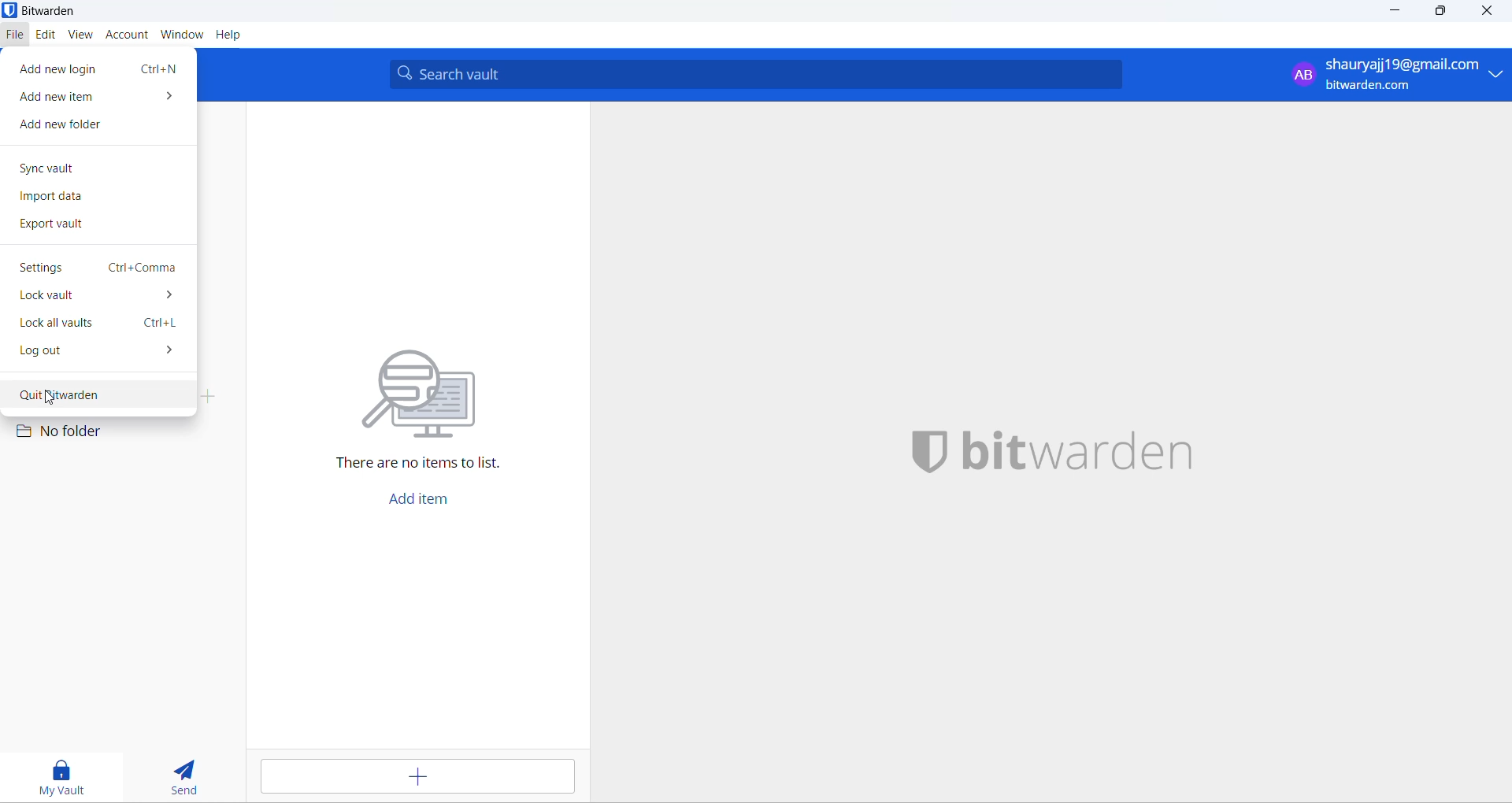 Image resolution: width=1512 pixels, height=803 pixels. Describe the element at coordinates (65, 776) in the screenshot. I see `my vault` at that location.